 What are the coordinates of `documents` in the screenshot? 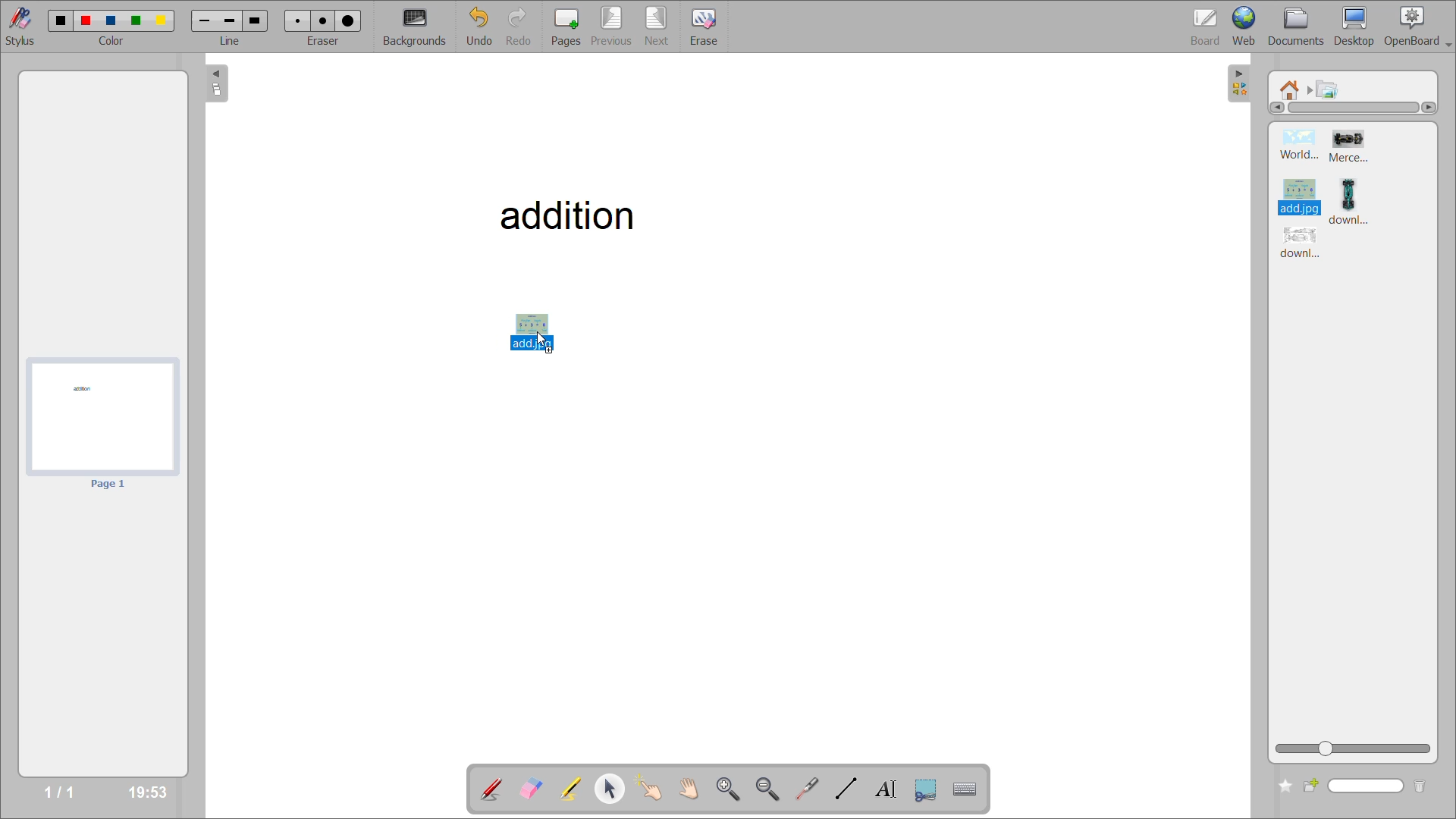 It's located at (1302, 27).